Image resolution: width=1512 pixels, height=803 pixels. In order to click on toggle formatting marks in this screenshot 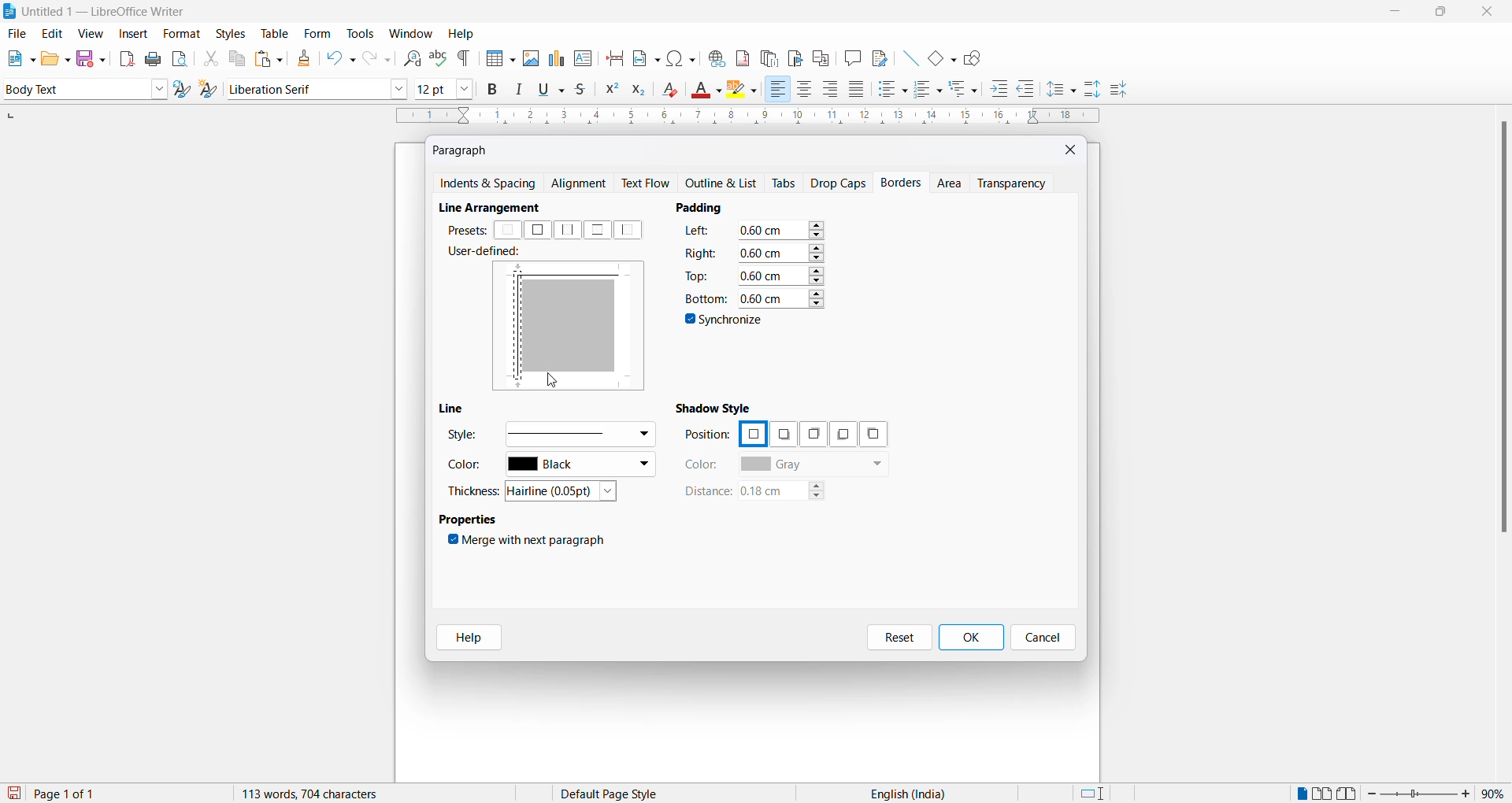, I will do `click(465, 58)`.